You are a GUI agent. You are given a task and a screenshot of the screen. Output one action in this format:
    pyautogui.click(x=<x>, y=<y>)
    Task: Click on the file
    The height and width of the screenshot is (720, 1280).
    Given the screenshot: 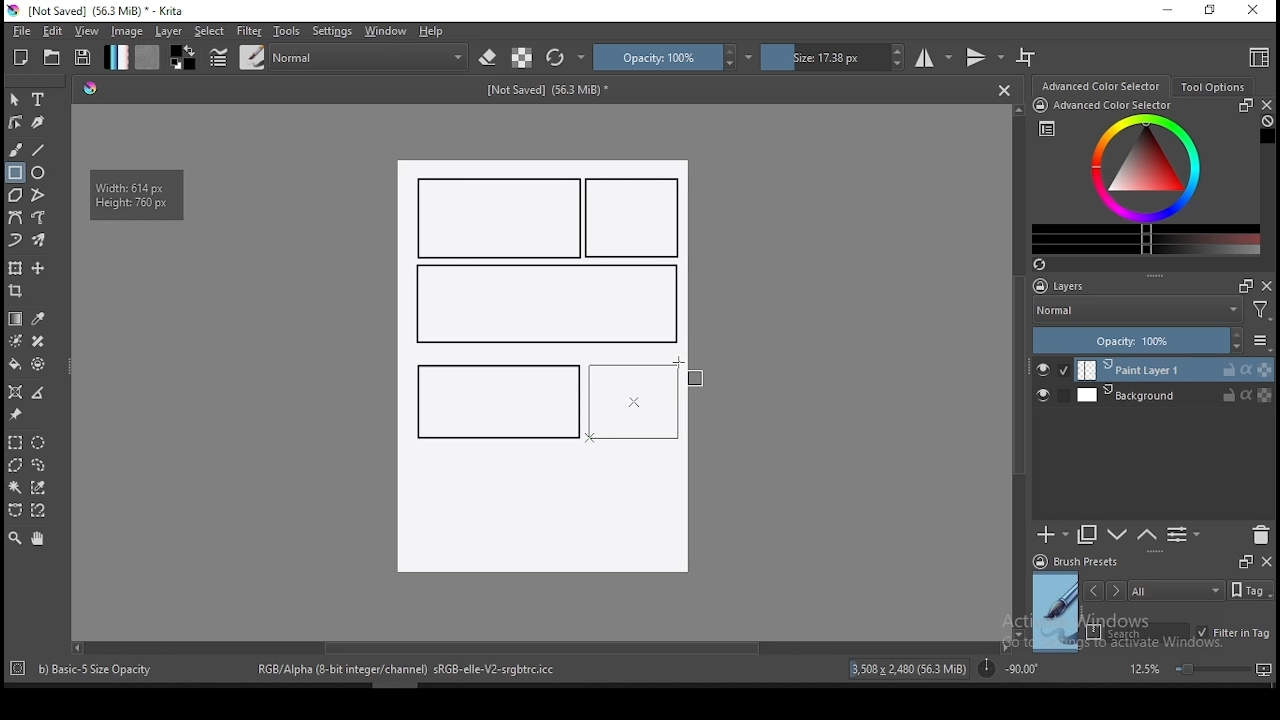 What is the action you would take?
    pyautogui.click(x=21, y=31)
    